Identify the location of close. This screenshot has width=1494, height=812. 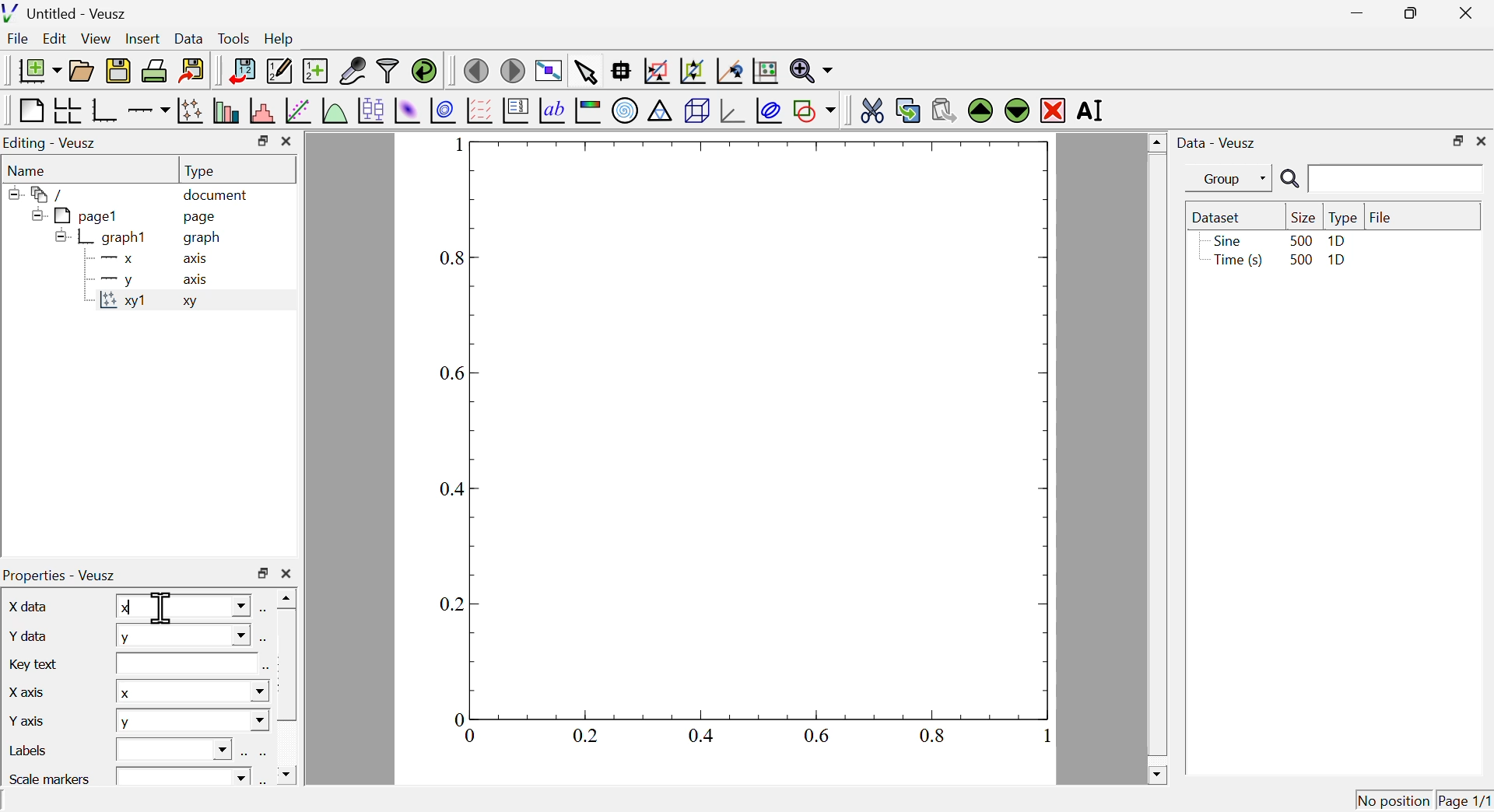
(1469, 12).